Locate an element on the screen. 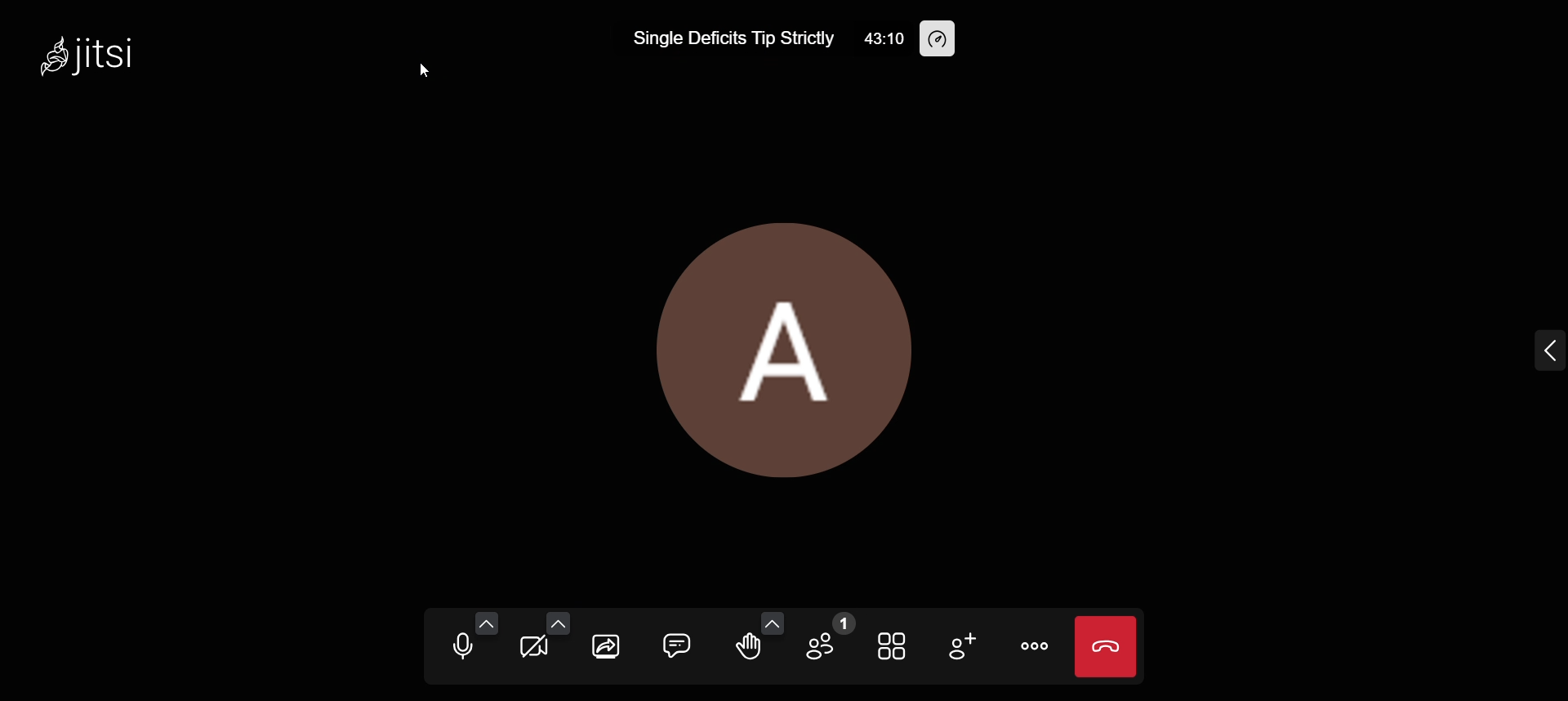 The image size is (1568, 701). display picture is located at coordinates (797, 350).